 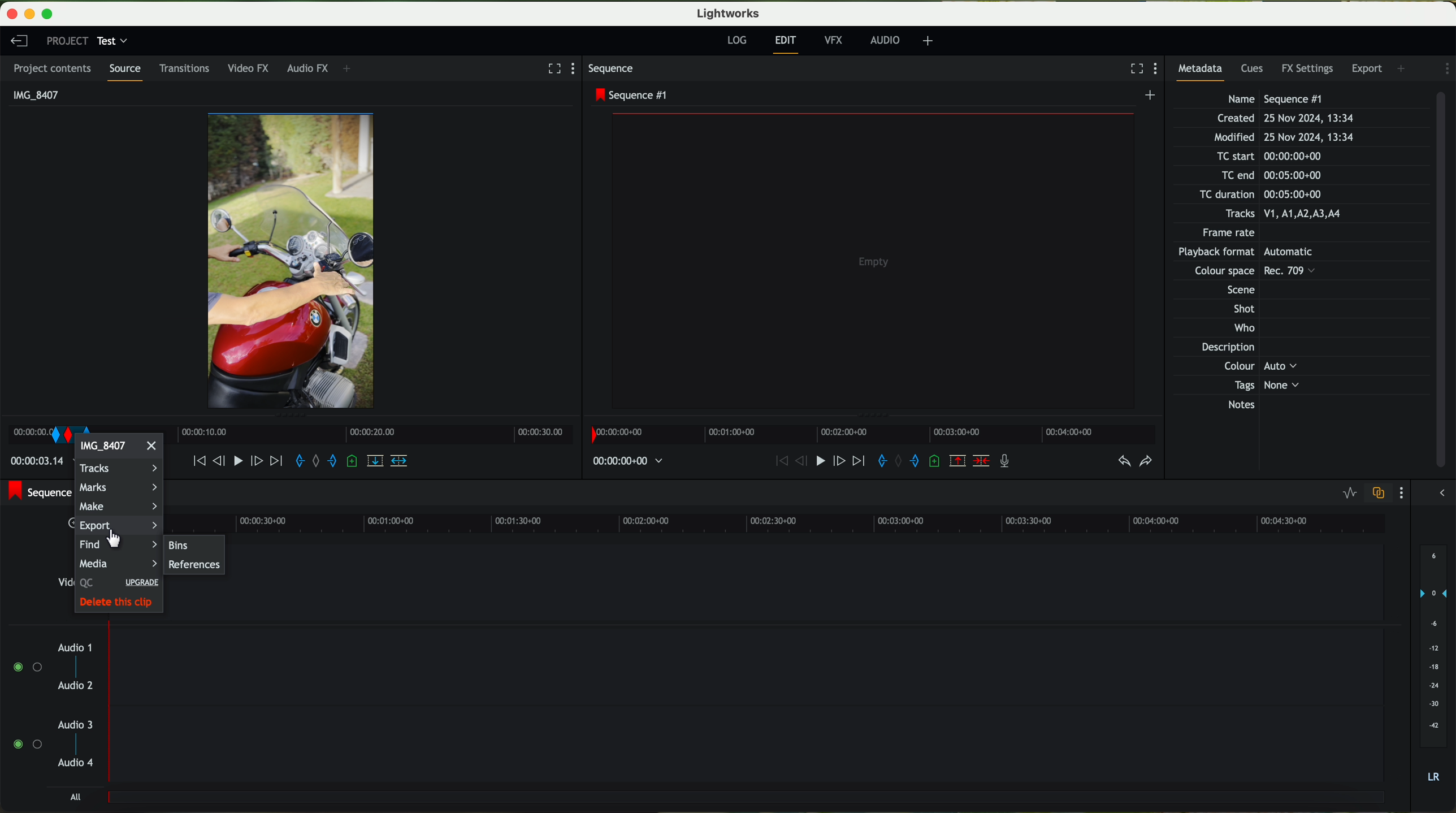 What do you see at coordinates (86, 41) in the screenshot?
I see `project: test` at bounding box center [86, 41].